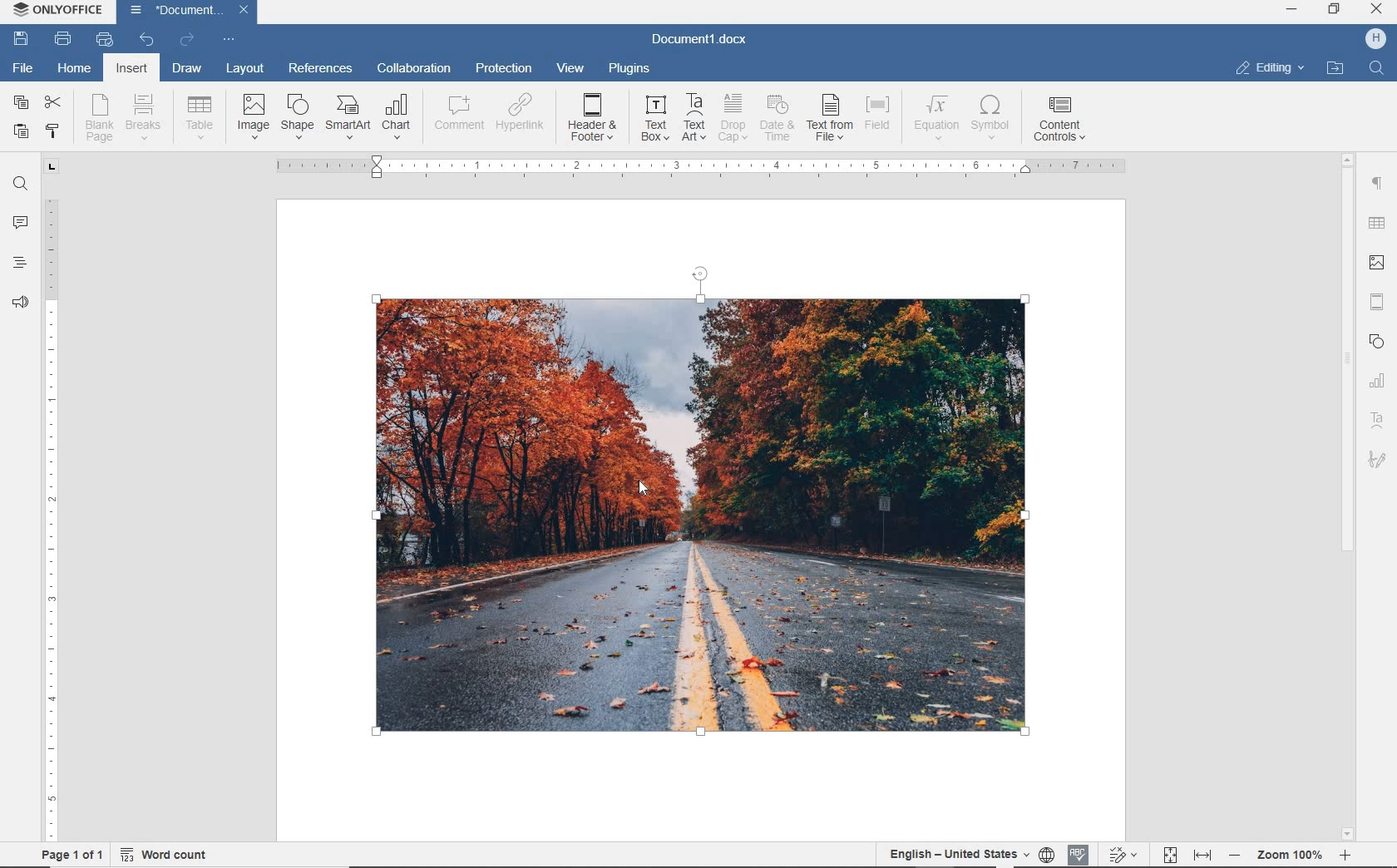  What do you see at coordinates (1346, 497) in the screenshot?
I see `scrollbar` at bounding box center [1346, 497].